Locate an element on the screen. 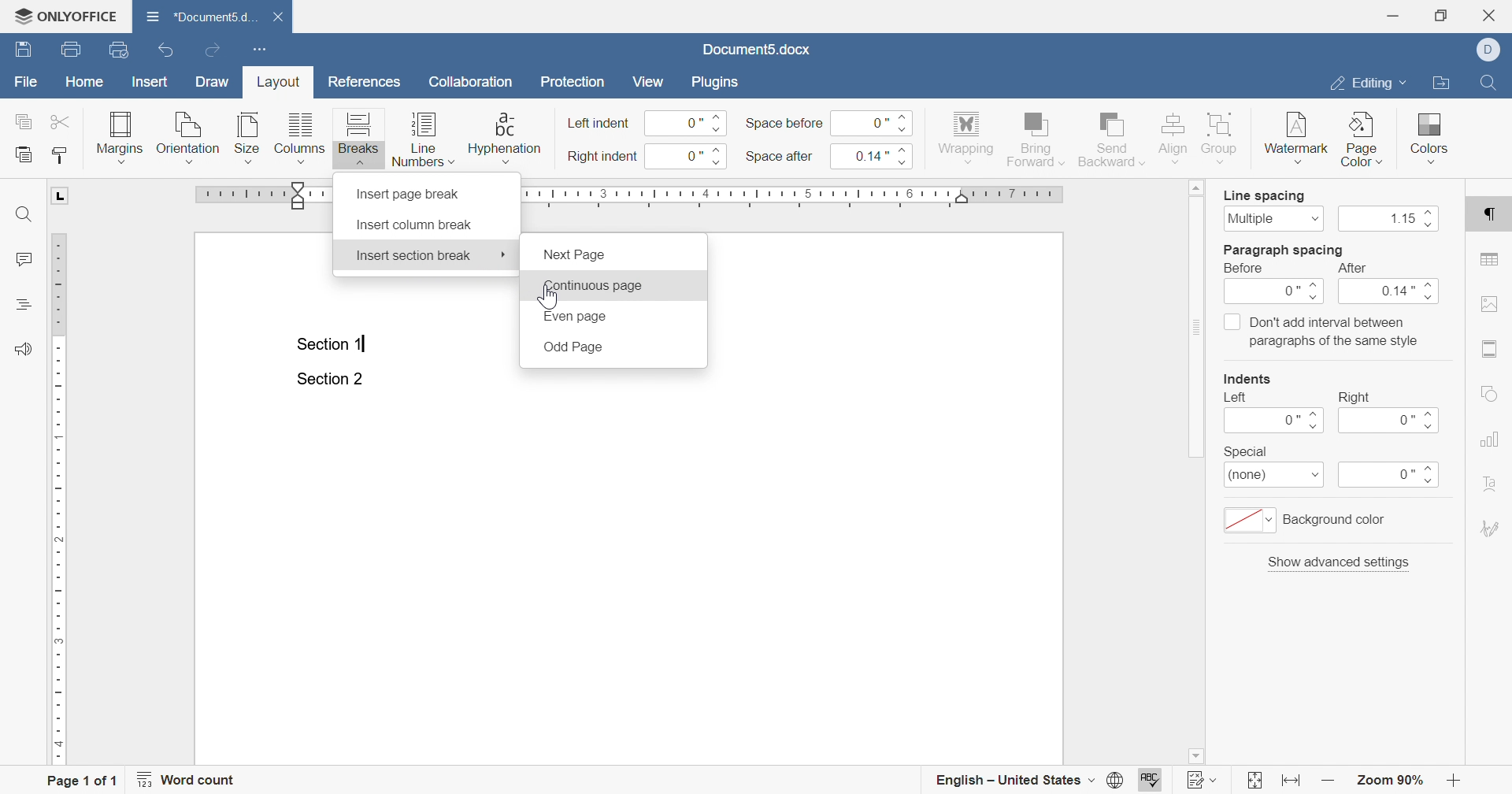  multiple is located at coordinates (1273, 218).